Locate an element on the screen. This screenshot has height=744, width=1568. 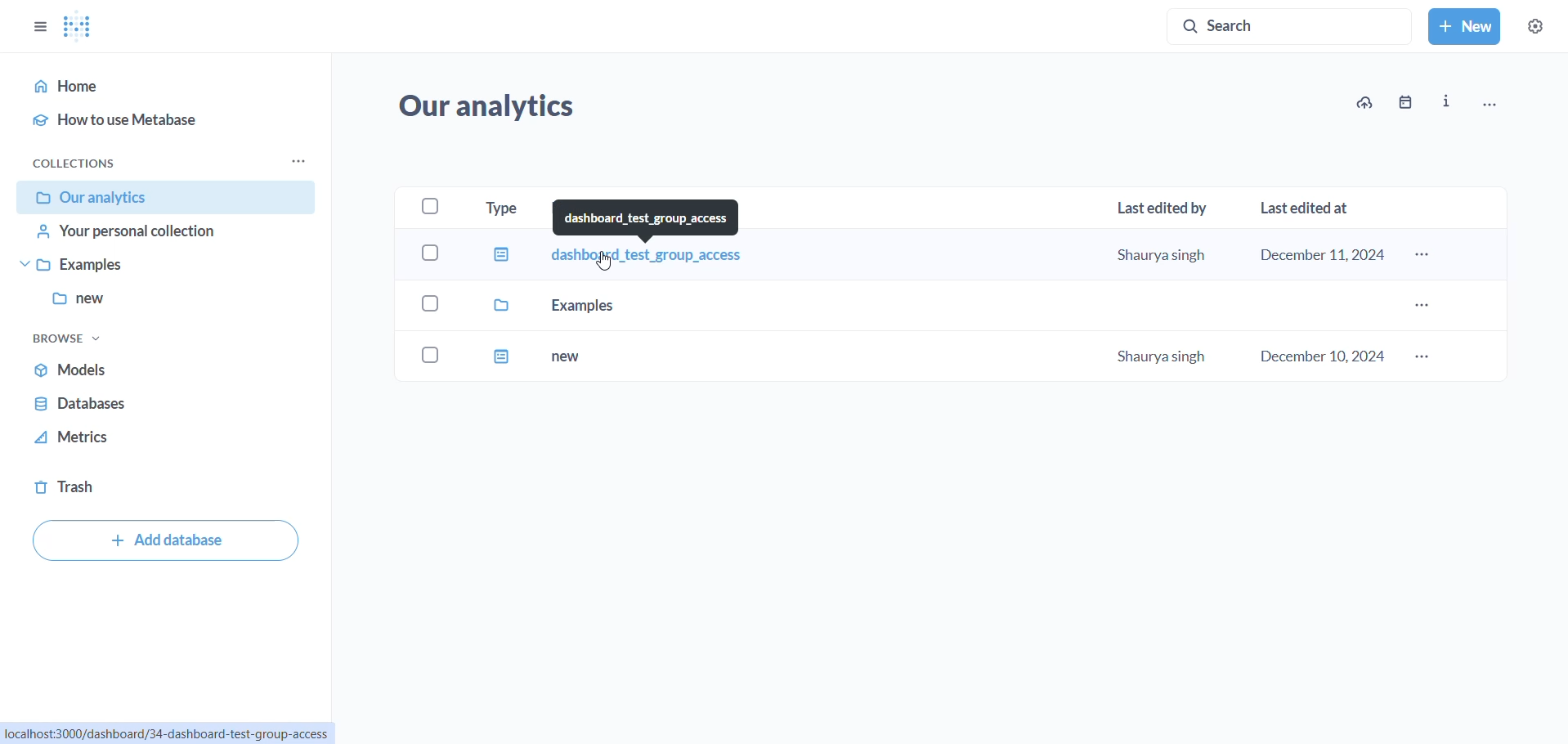
new dashboard menu is located at coordinates (1431, 357).